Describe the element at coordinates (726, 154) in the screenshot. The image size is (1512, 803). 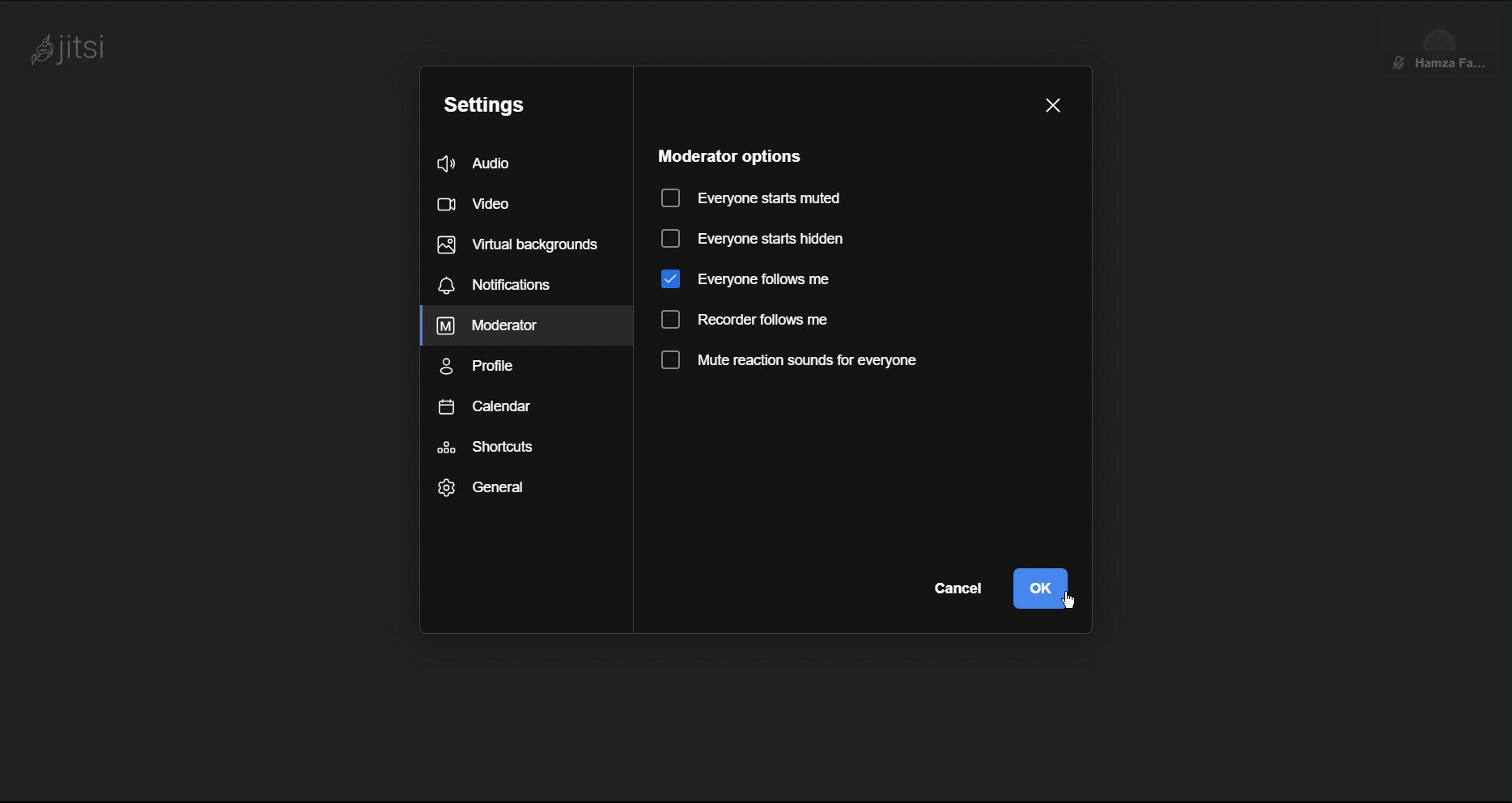
I see `Moderator options` at that location.